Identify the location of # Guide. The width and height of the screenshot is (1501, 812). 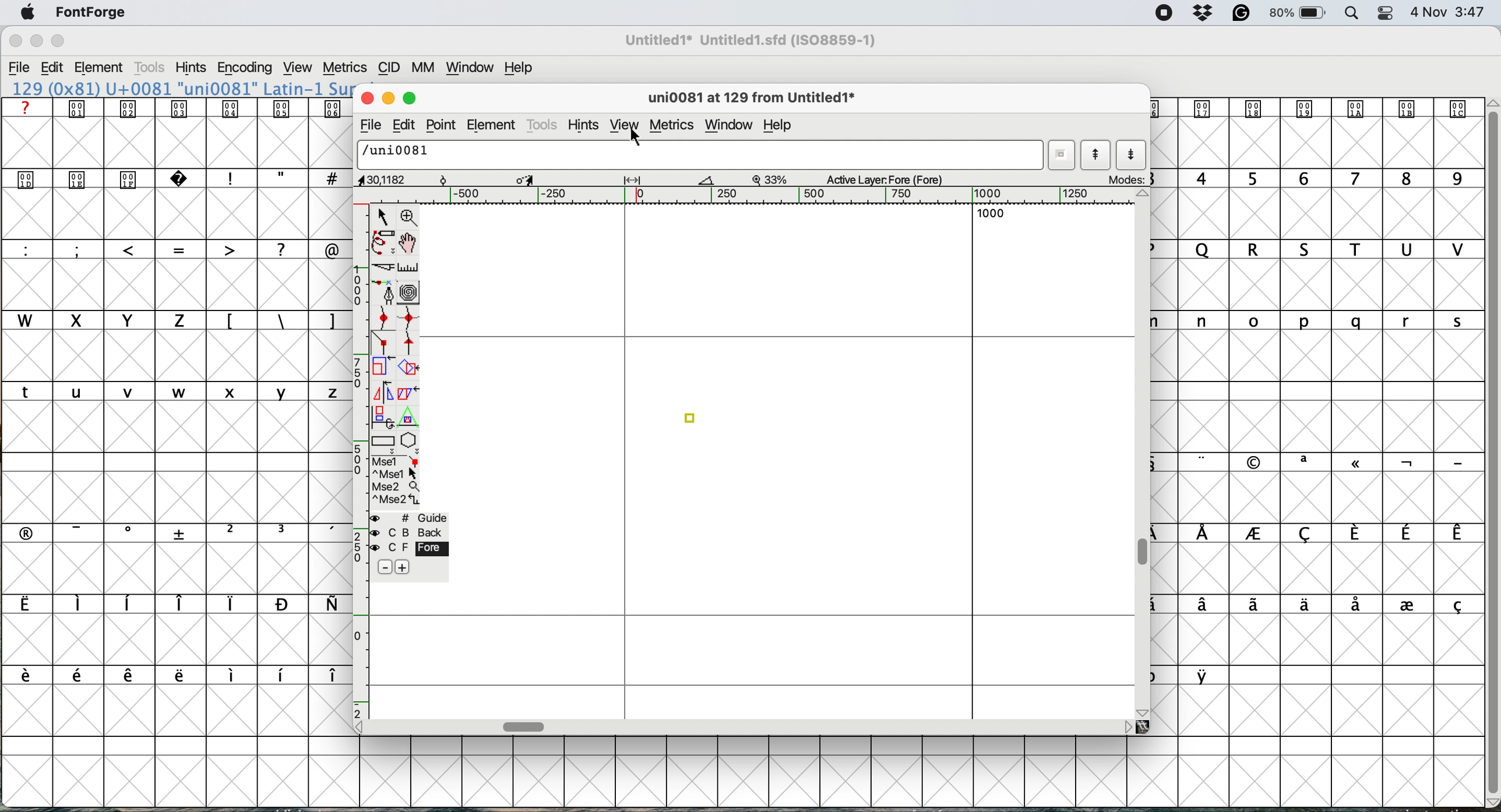
(411, 518).